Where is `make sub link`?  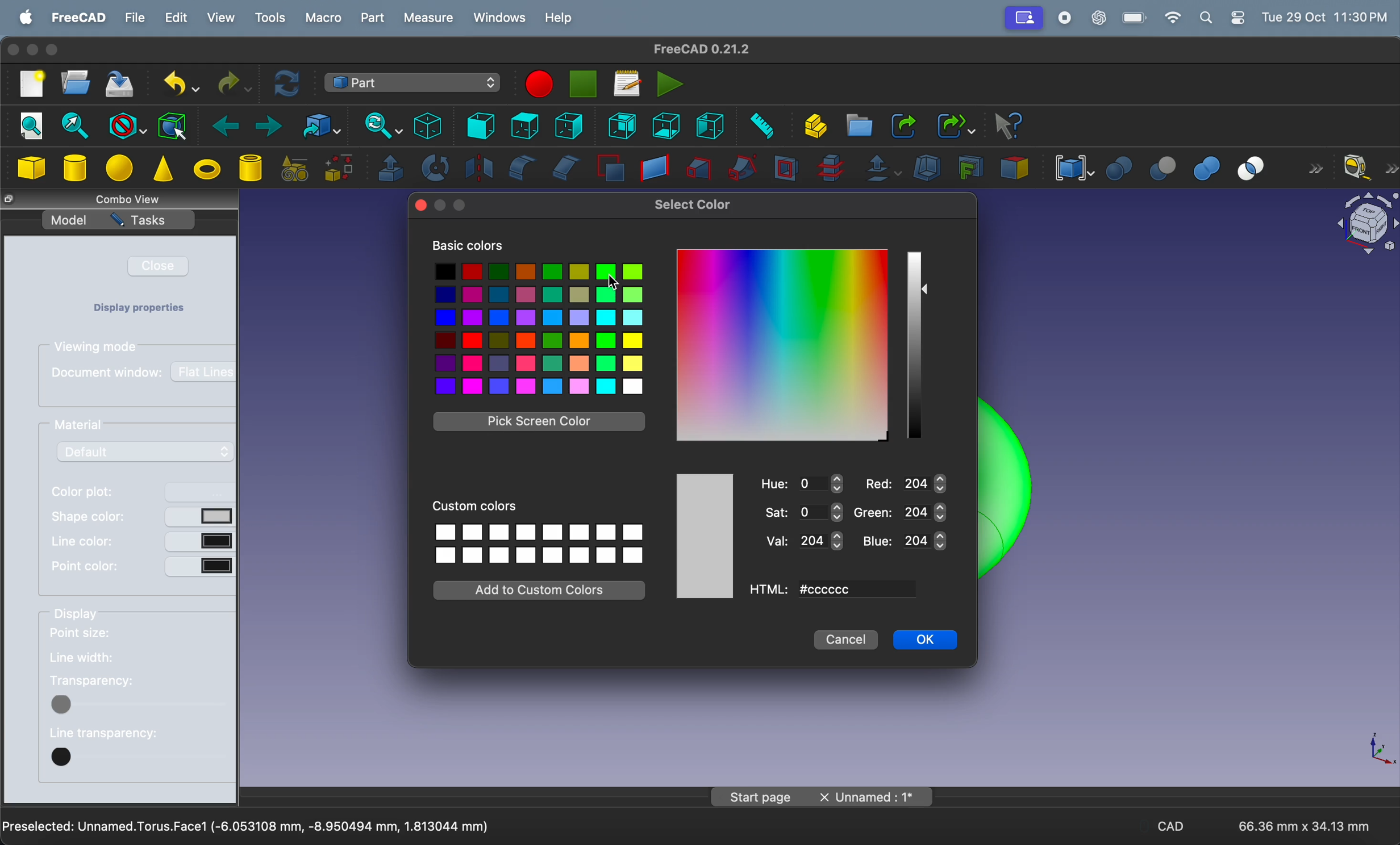
make sub link is located at coordinates (953, 126).